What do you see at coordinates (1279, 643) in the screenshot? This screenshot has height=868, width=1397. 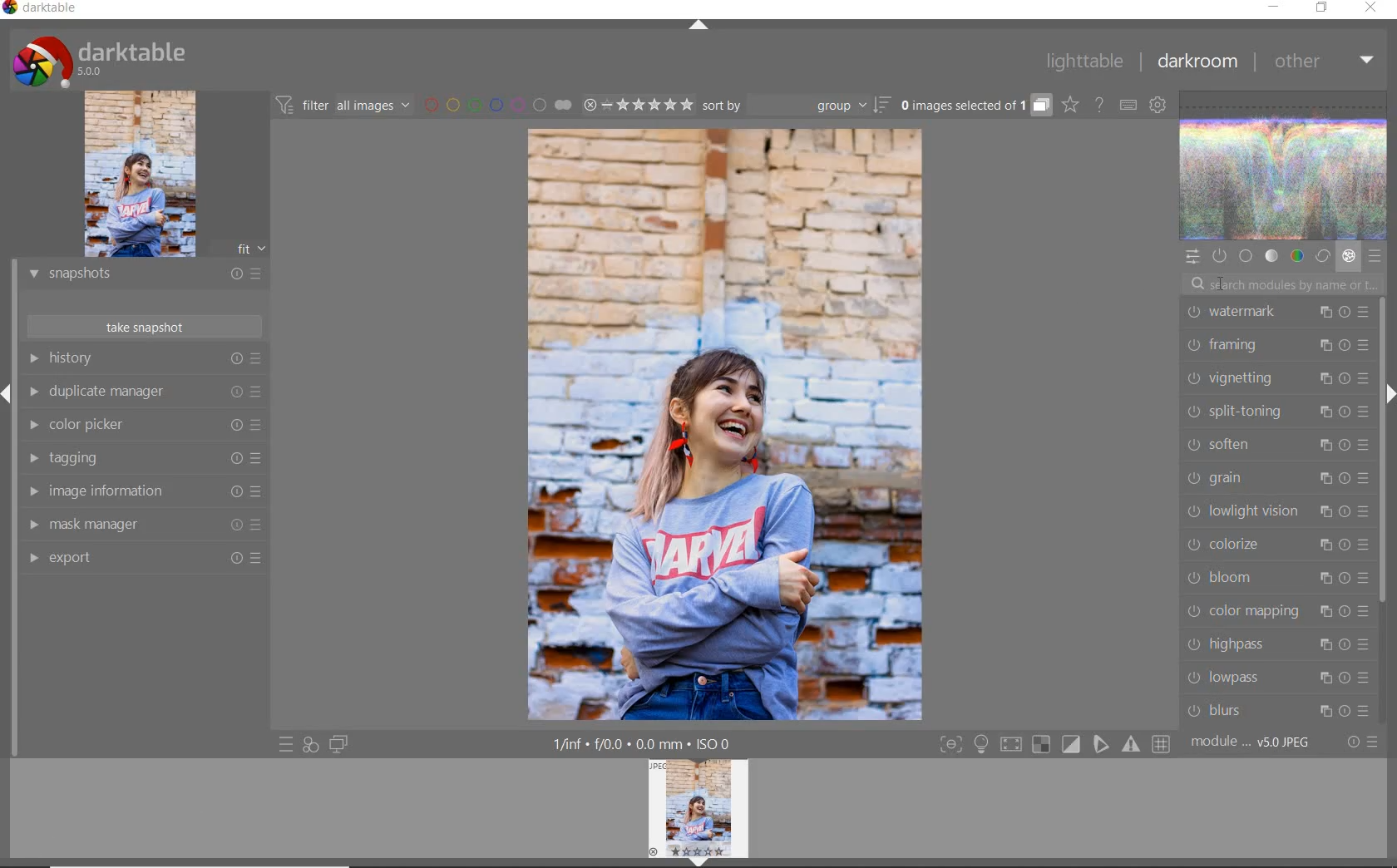 I see `highpass` at bounding box center [1279, 643].